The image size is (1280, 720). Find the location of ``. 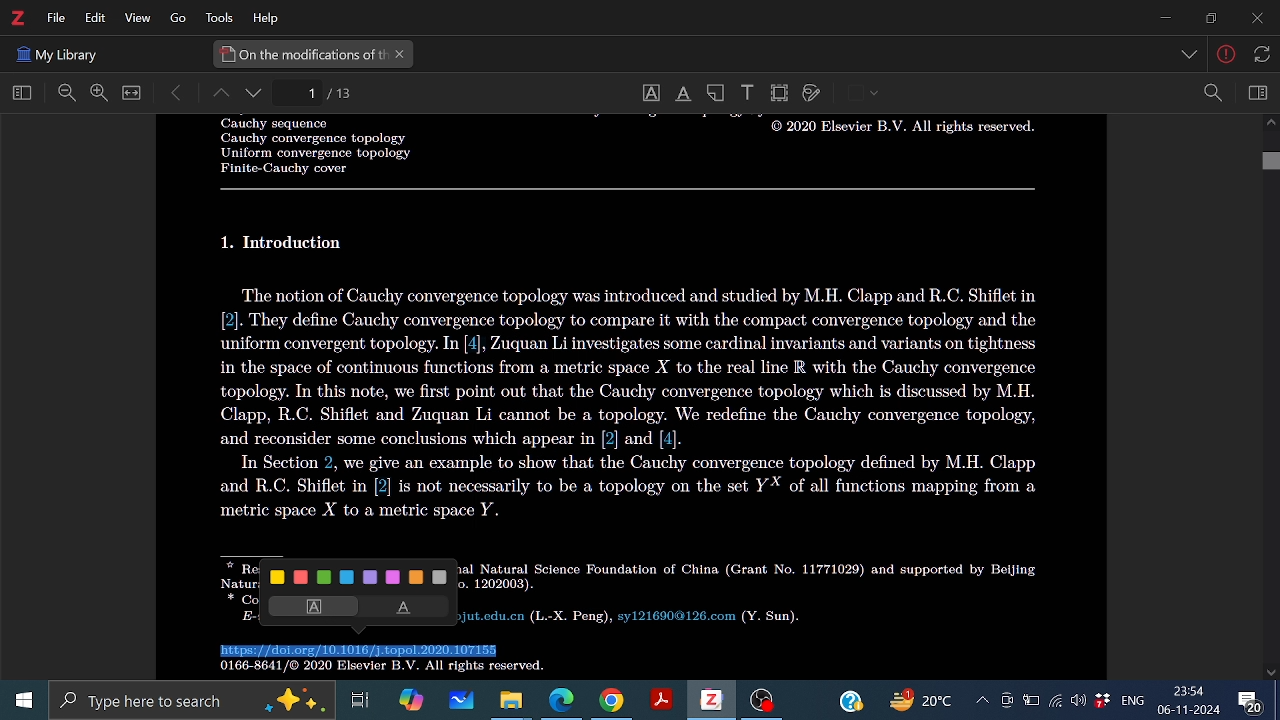

 is located at coordinates (629, 189).